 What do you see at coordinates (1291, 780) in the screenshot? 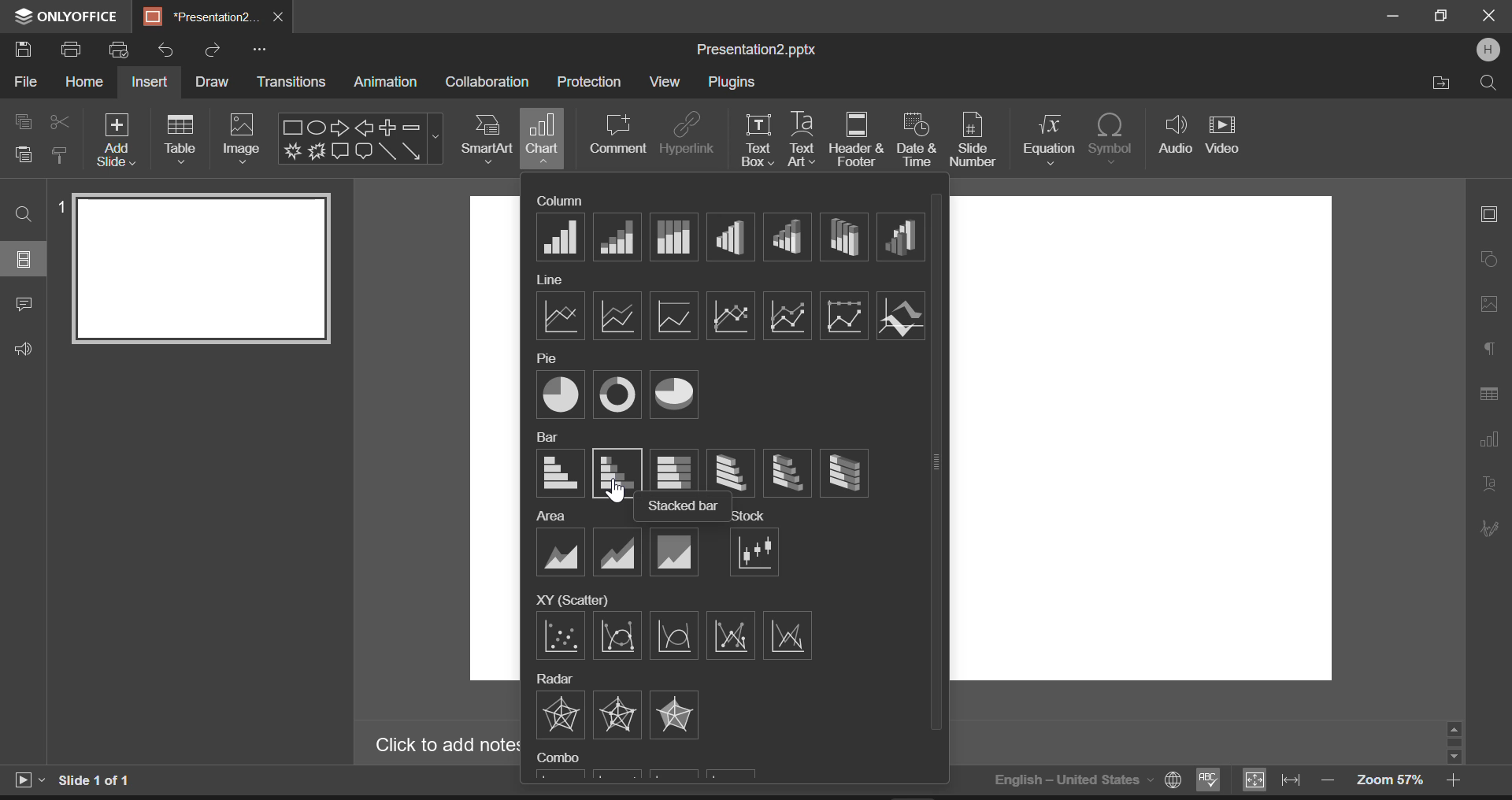
I see `Fit to width` at bounding box center [1291, 780].